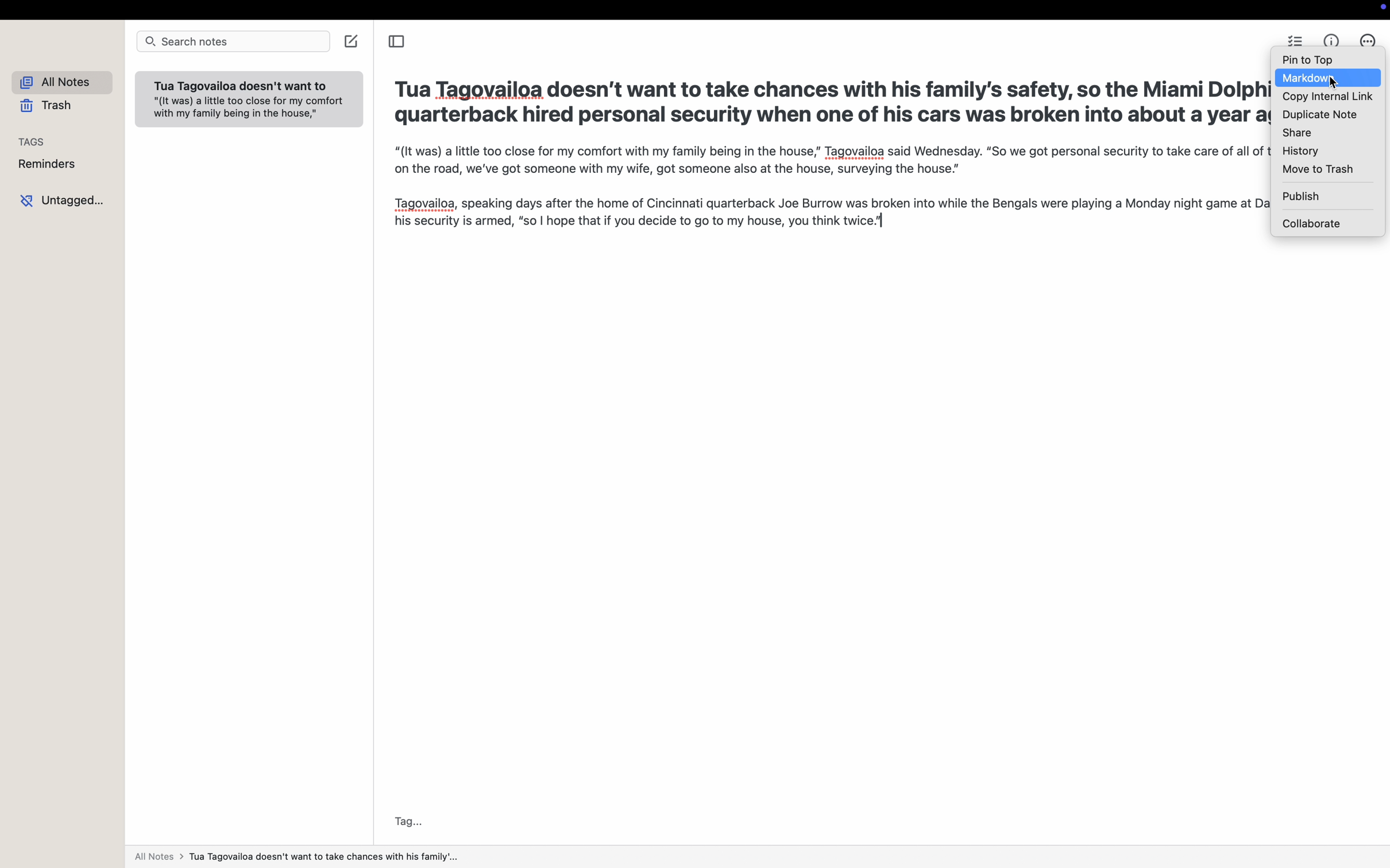  I want to click on publish, so click(1300, 196).